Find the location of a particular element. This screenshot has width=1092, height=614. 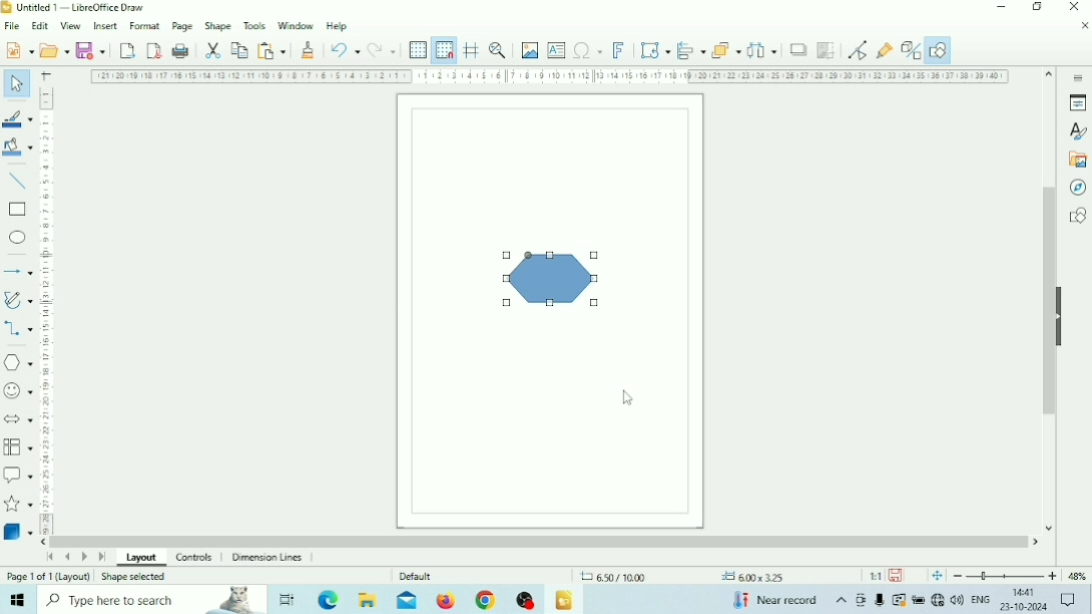

Shape is located at coordinates (218, 26).